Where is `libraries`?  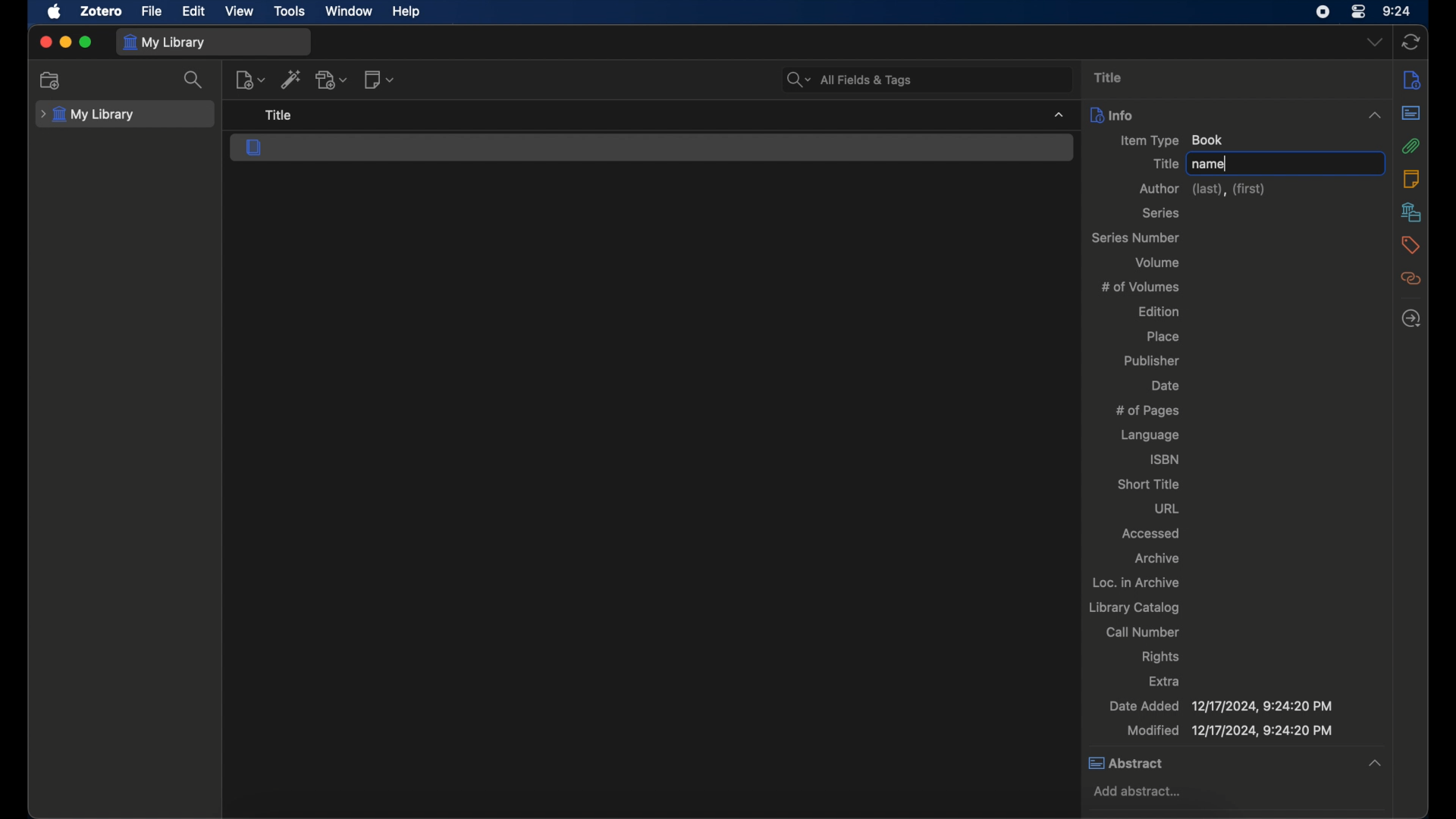
libraries is located at coordinates (1414, 213).